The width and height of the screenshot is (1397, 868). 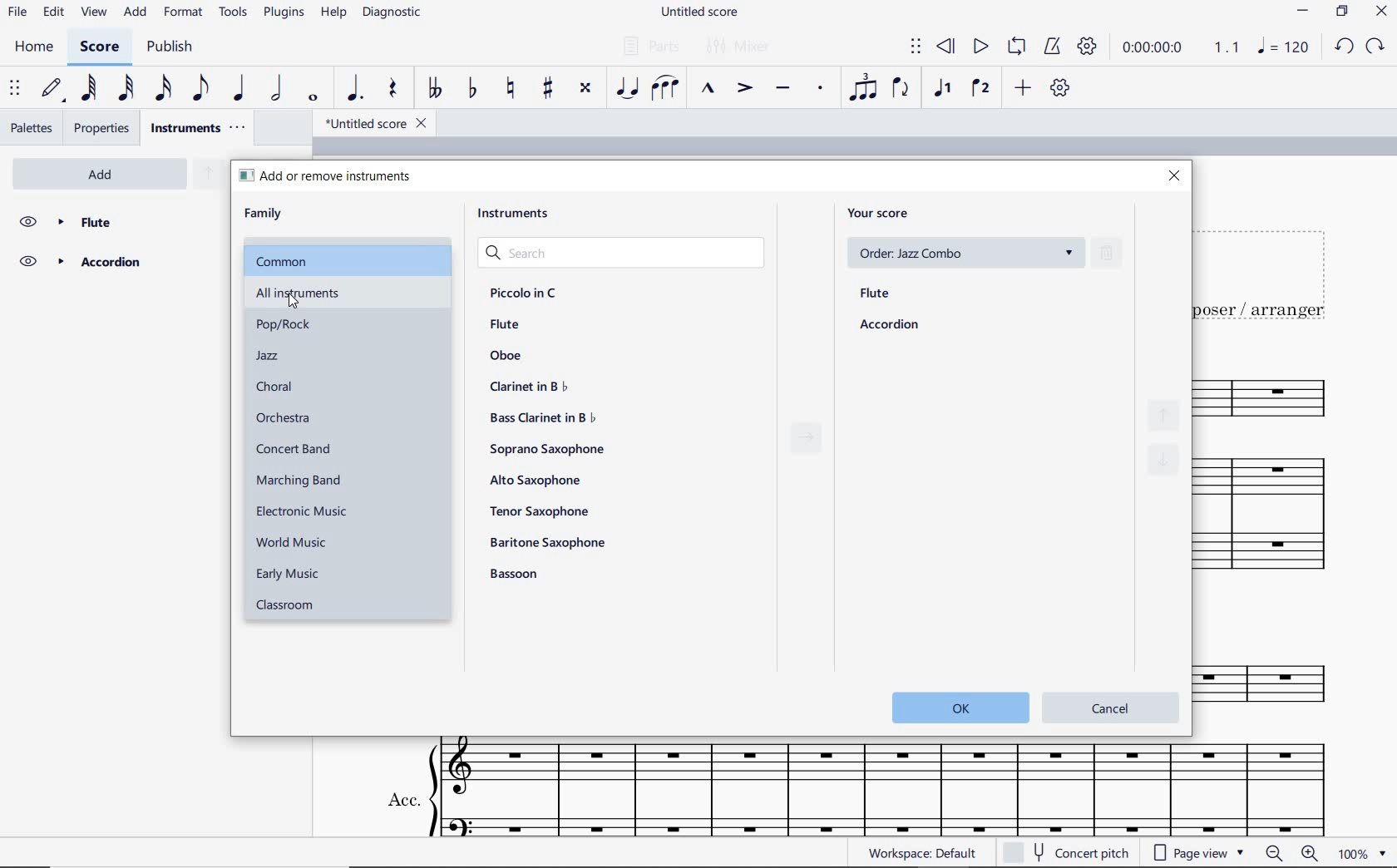 What do you see at coordinates (270, 356) in the screenshot?
I see `Jazz` at bounding box center [270, 356].